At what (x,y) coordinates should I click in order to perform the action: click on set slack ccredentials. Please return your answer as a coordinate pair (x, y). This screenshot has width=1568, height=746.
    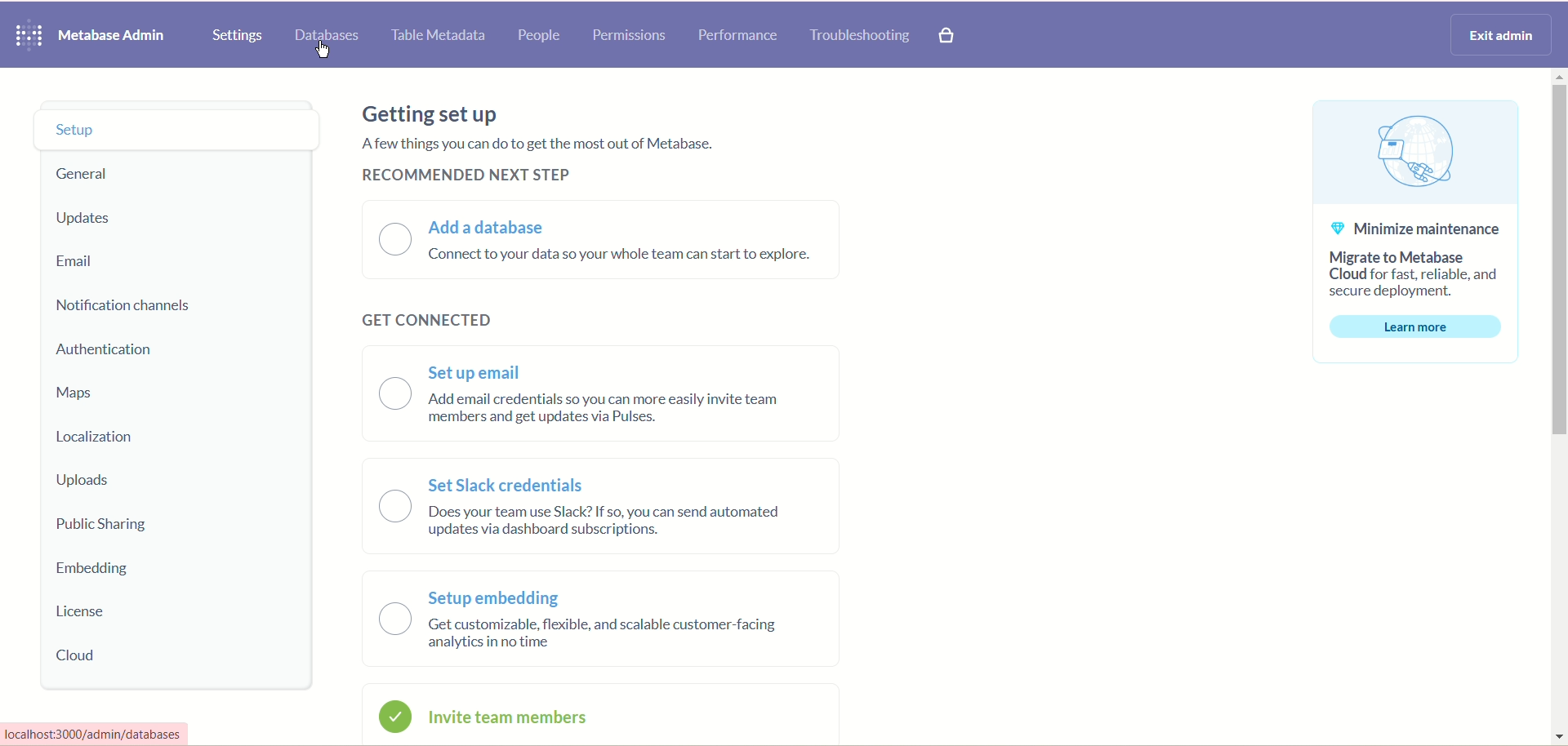
    Looking at the image, I should click on (610, 512).